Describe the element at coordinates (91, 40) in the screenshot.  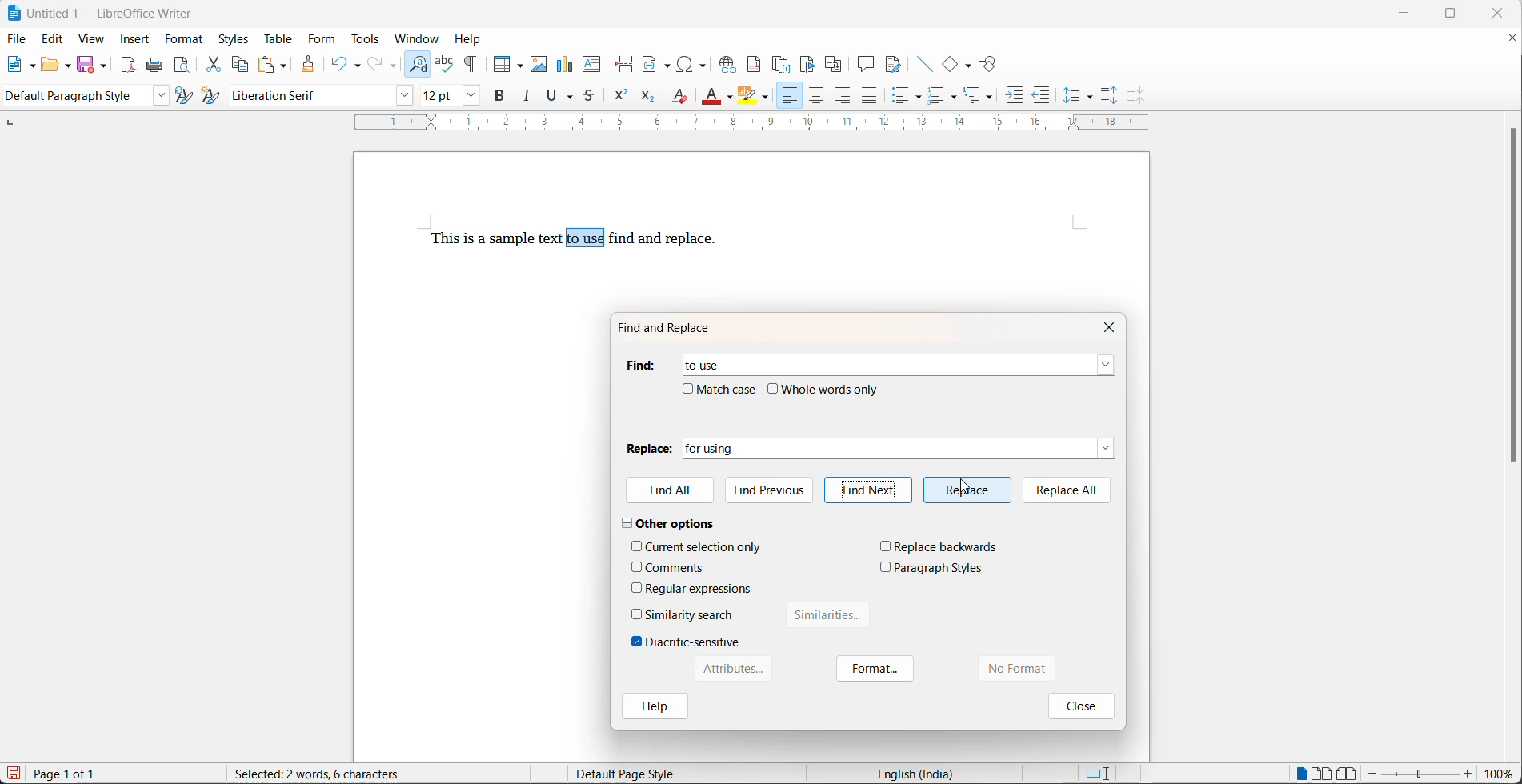
I see `view` at that location.